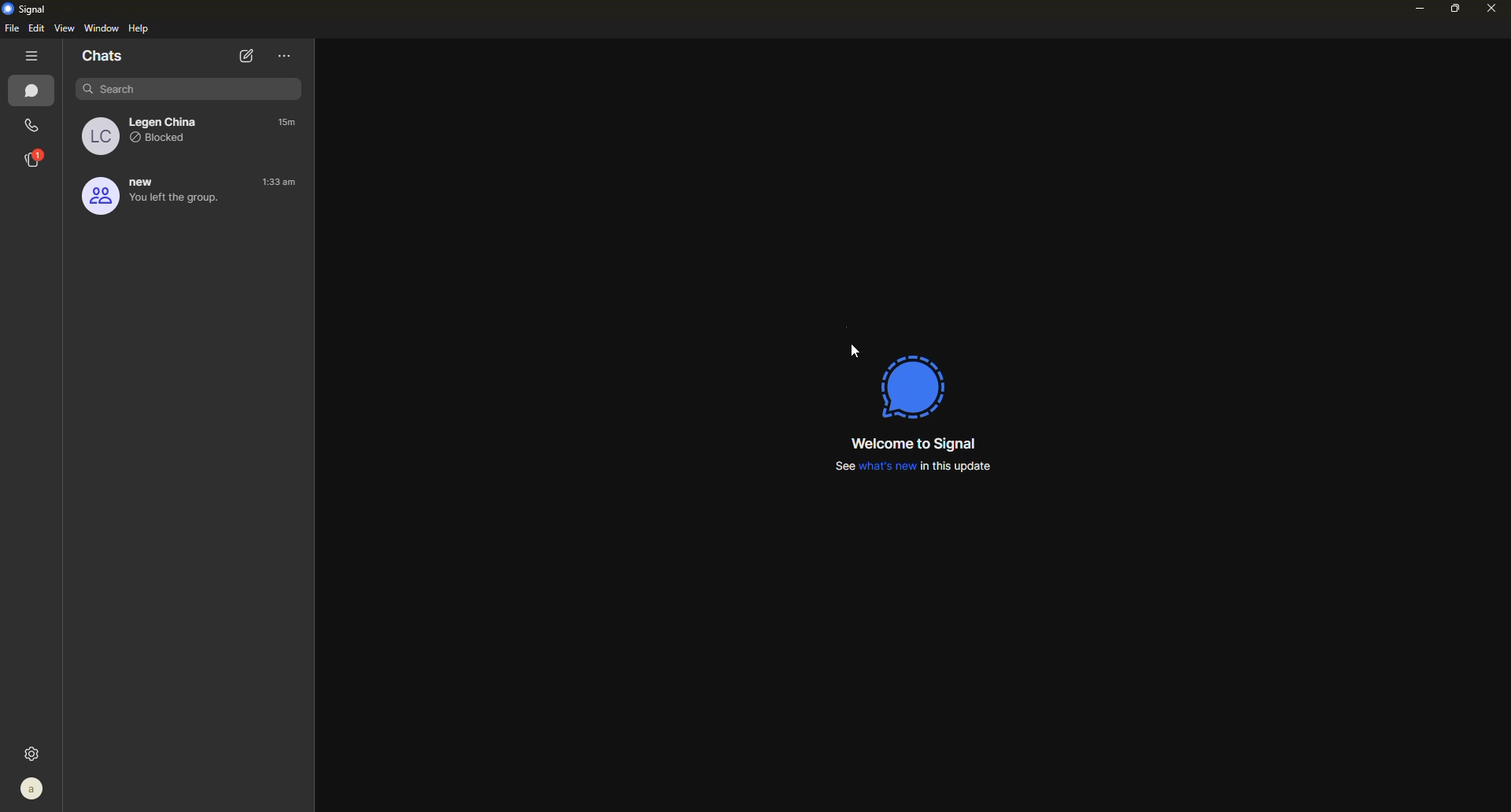 Image resolution: width=1511 pixels, height=812 pixels. I want to click on chats, so click(35, 93).